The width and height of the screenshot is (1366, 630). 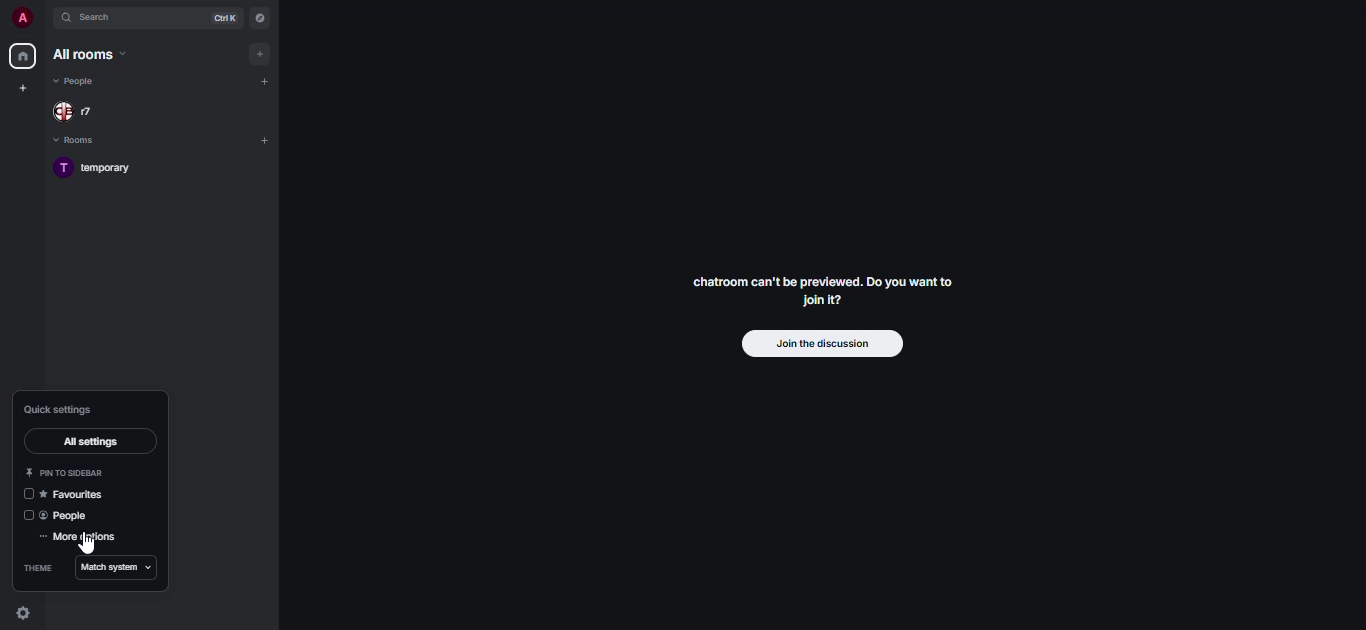 I want to click on all settings, so click(x=92, y=444).